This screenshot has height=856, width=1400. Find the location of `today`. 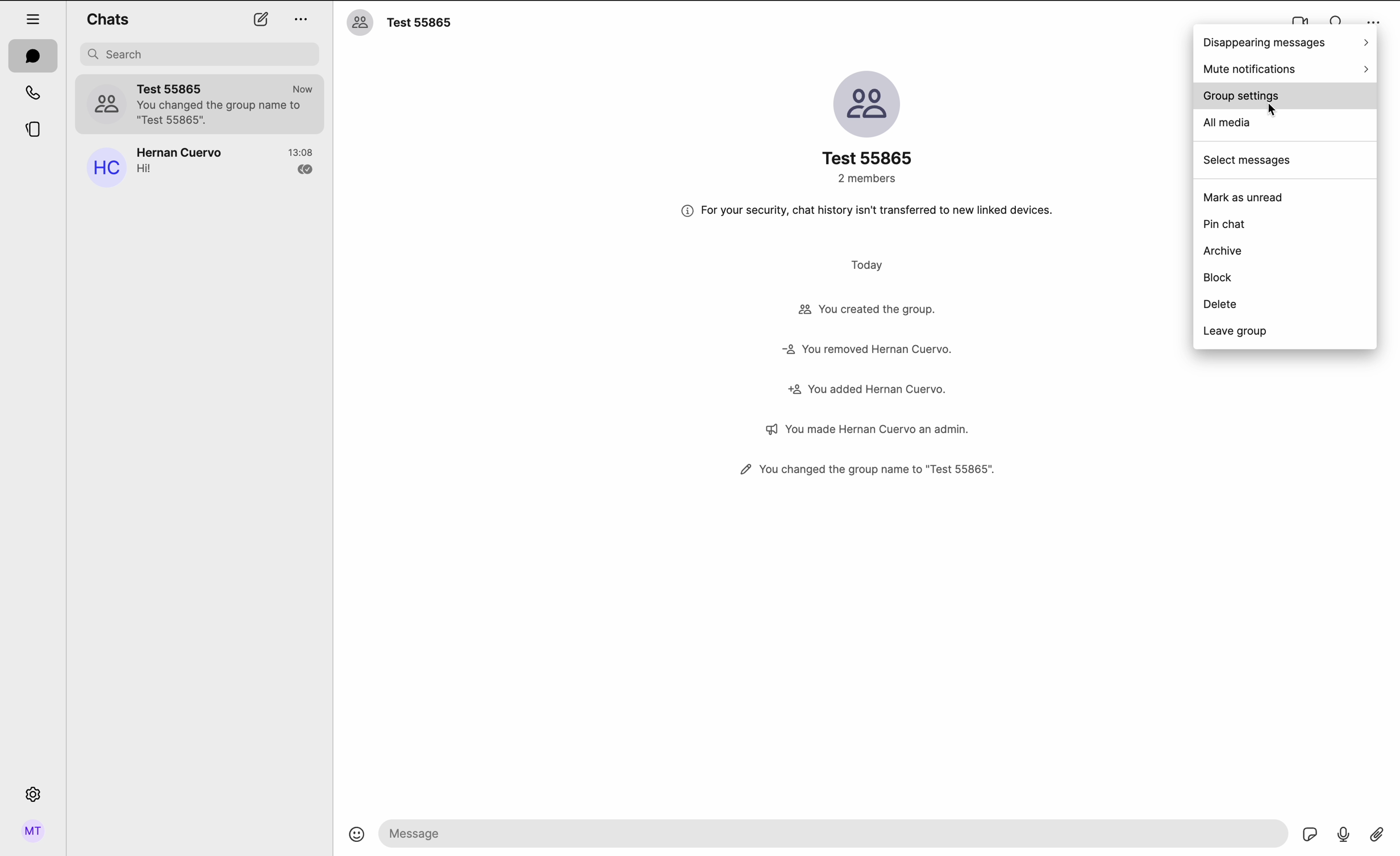

today is located at coordinates (869, 264).